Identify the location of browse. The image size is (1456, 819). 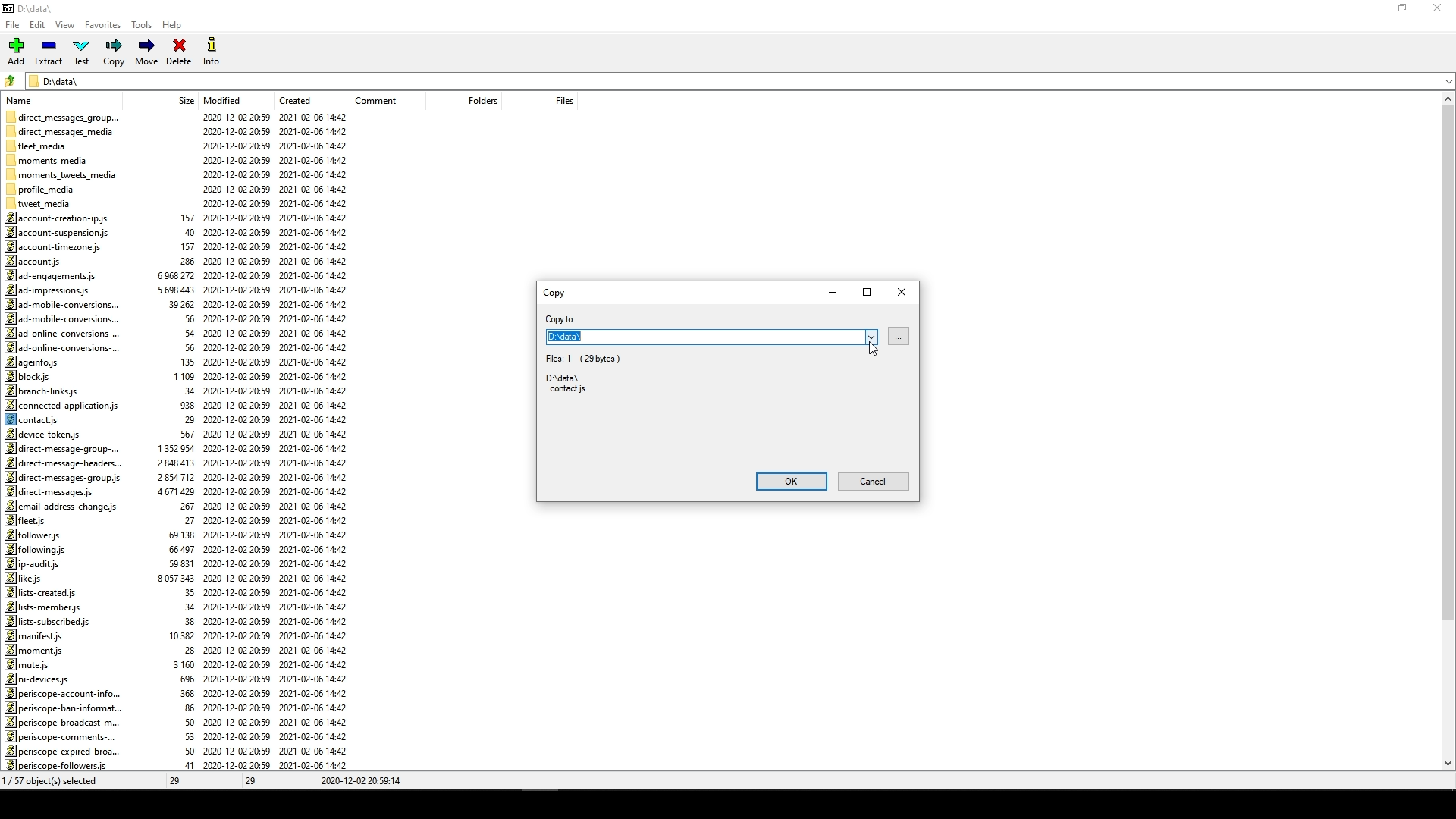
(899, 336).